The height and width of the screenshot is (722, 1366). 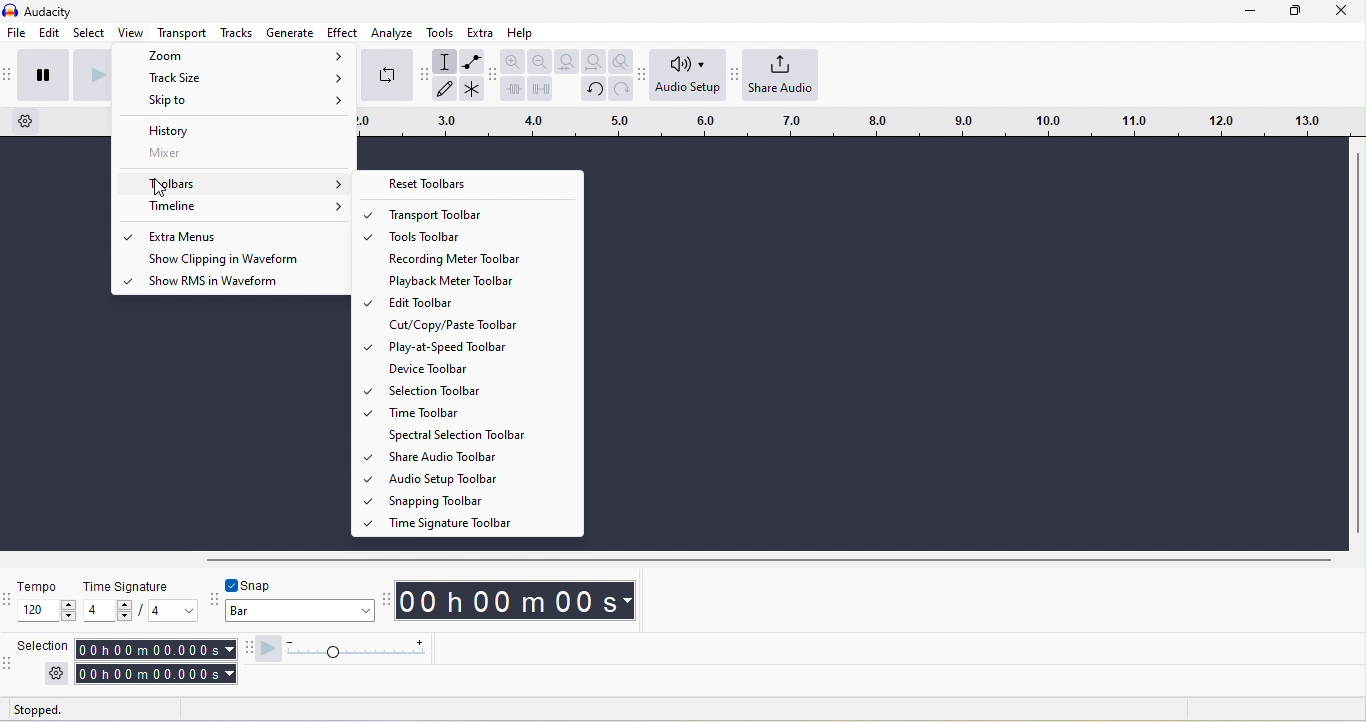 I want to click on set time signature, so click(x=174, y=610).